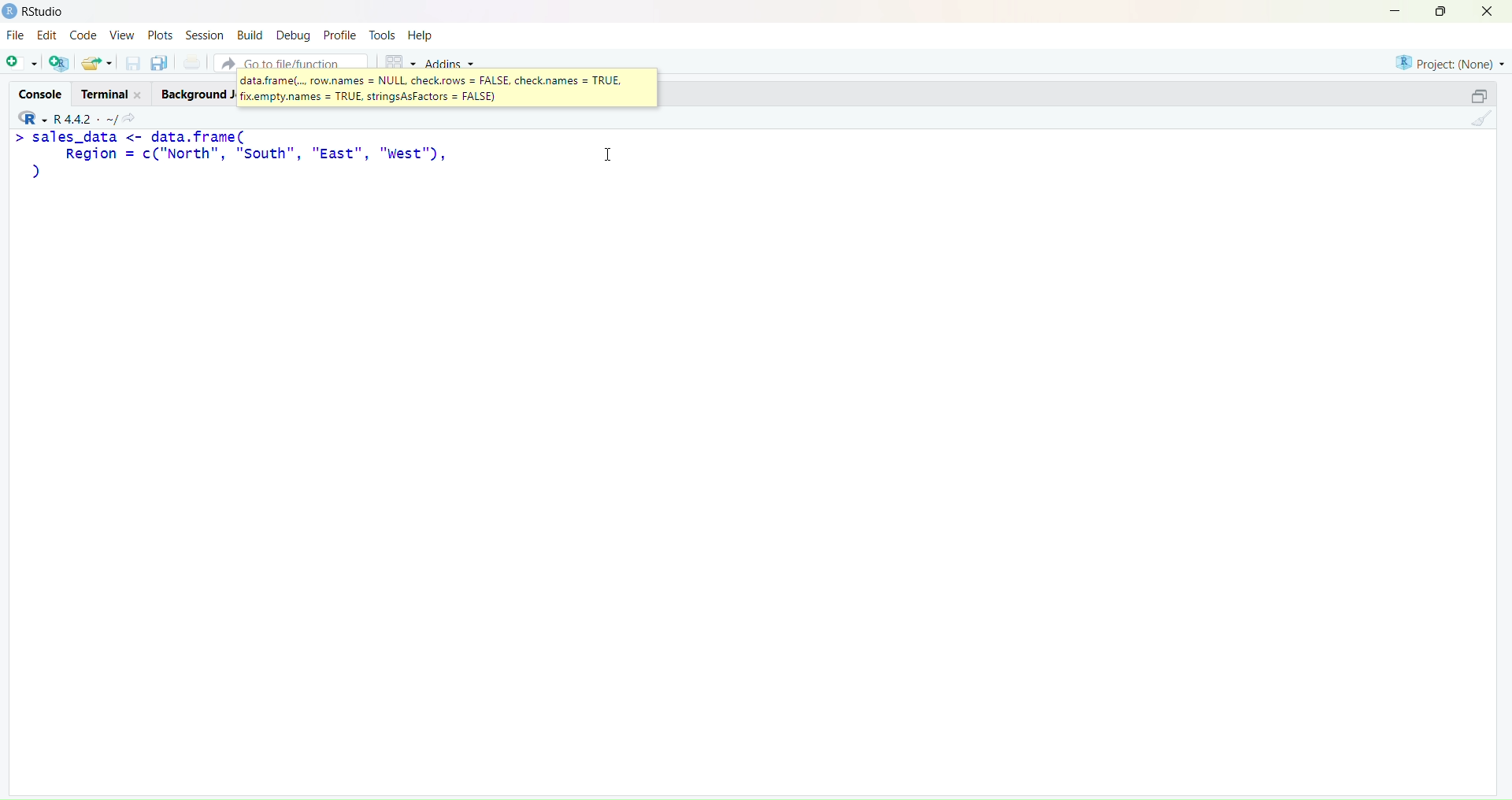 The height and width of the screenshot is (800, 1512). What do you see at coordinates (1471, 94) in the screenshot?
I see `maximise` at bounding box center [1471, 94].